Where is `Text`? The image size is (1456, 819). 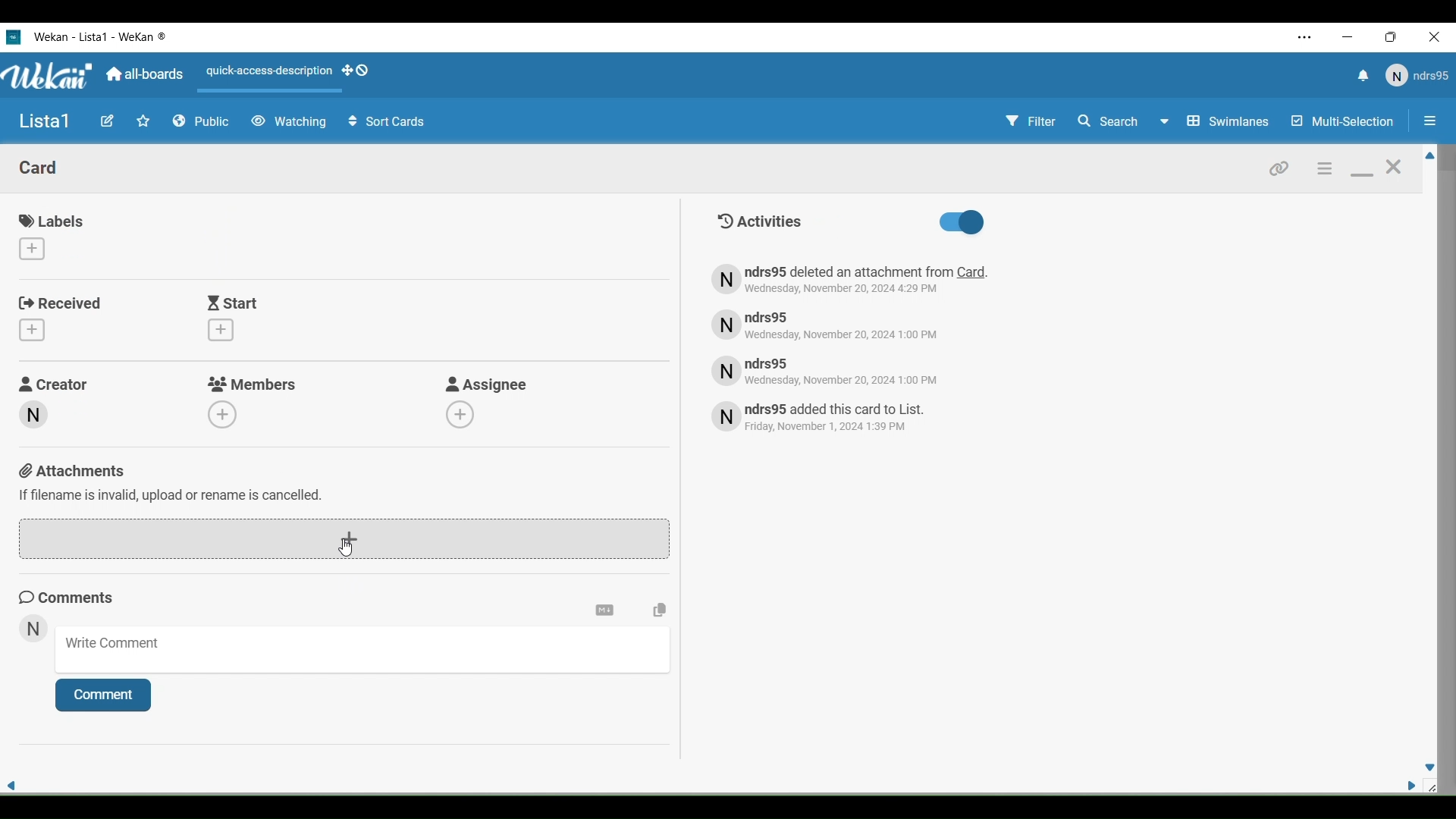 Text is located at coordinates (836, 419).